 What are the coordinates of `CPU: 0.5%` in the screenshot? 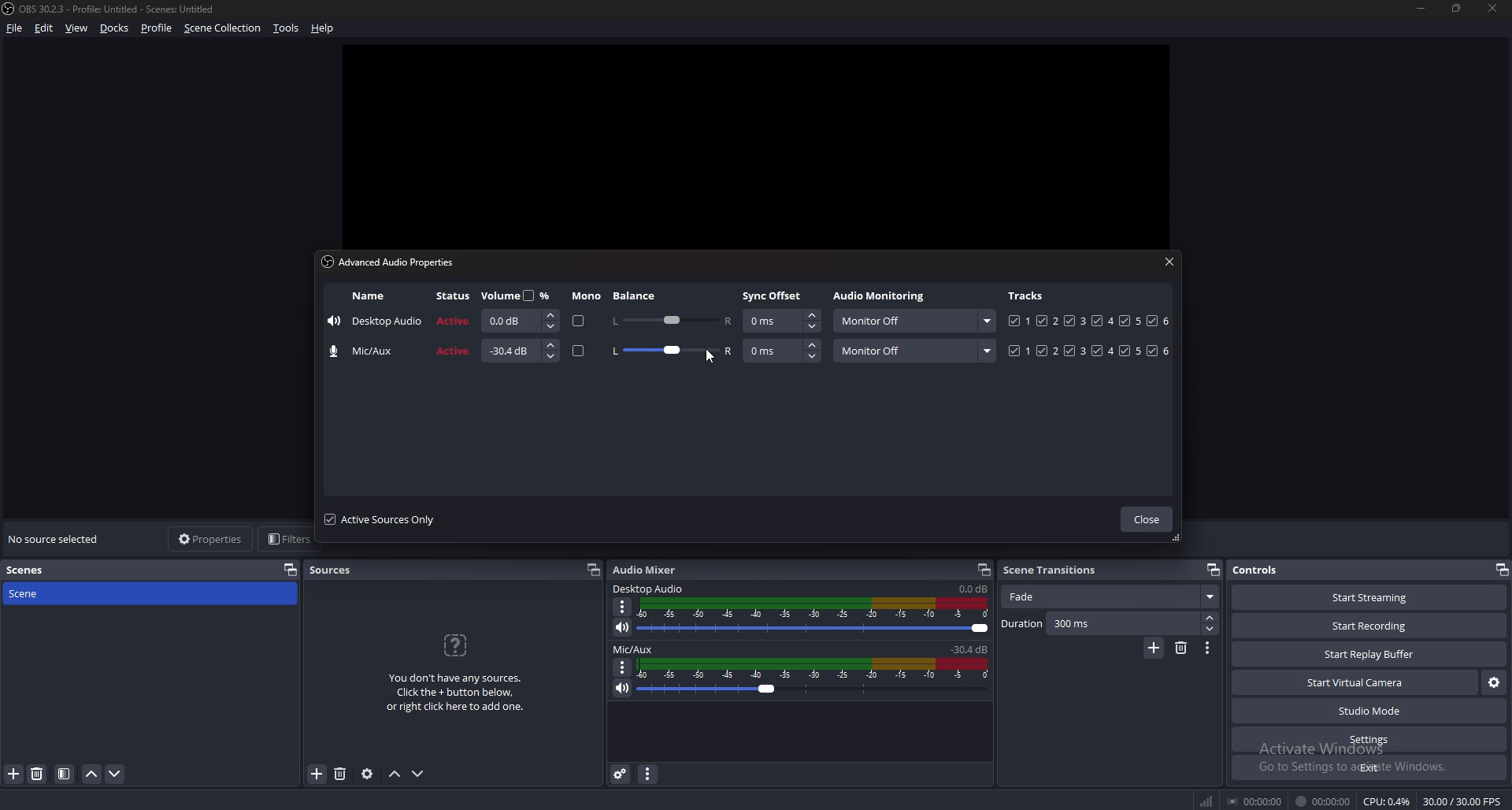 It's located at (1388, 802).